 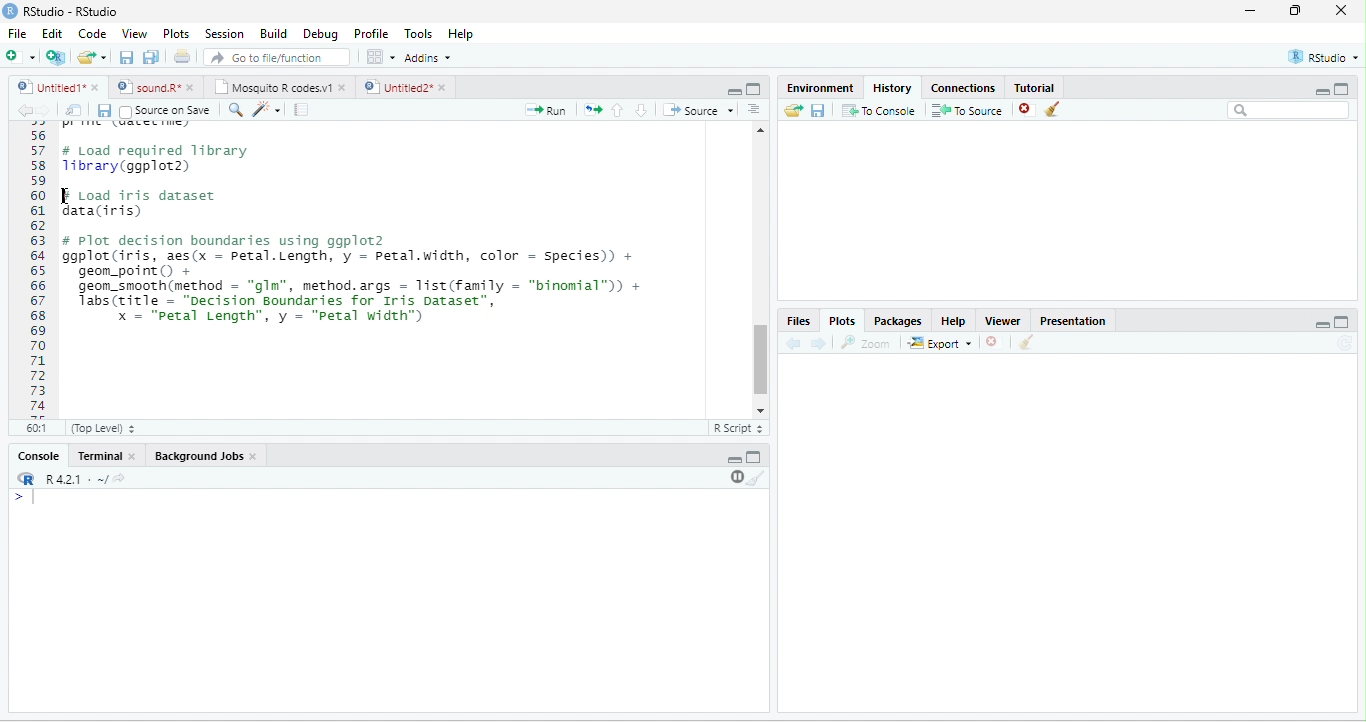 What do you see at coordinates (104, 111) in the screenshot?
I see `save` at bounding box center [104, 111].